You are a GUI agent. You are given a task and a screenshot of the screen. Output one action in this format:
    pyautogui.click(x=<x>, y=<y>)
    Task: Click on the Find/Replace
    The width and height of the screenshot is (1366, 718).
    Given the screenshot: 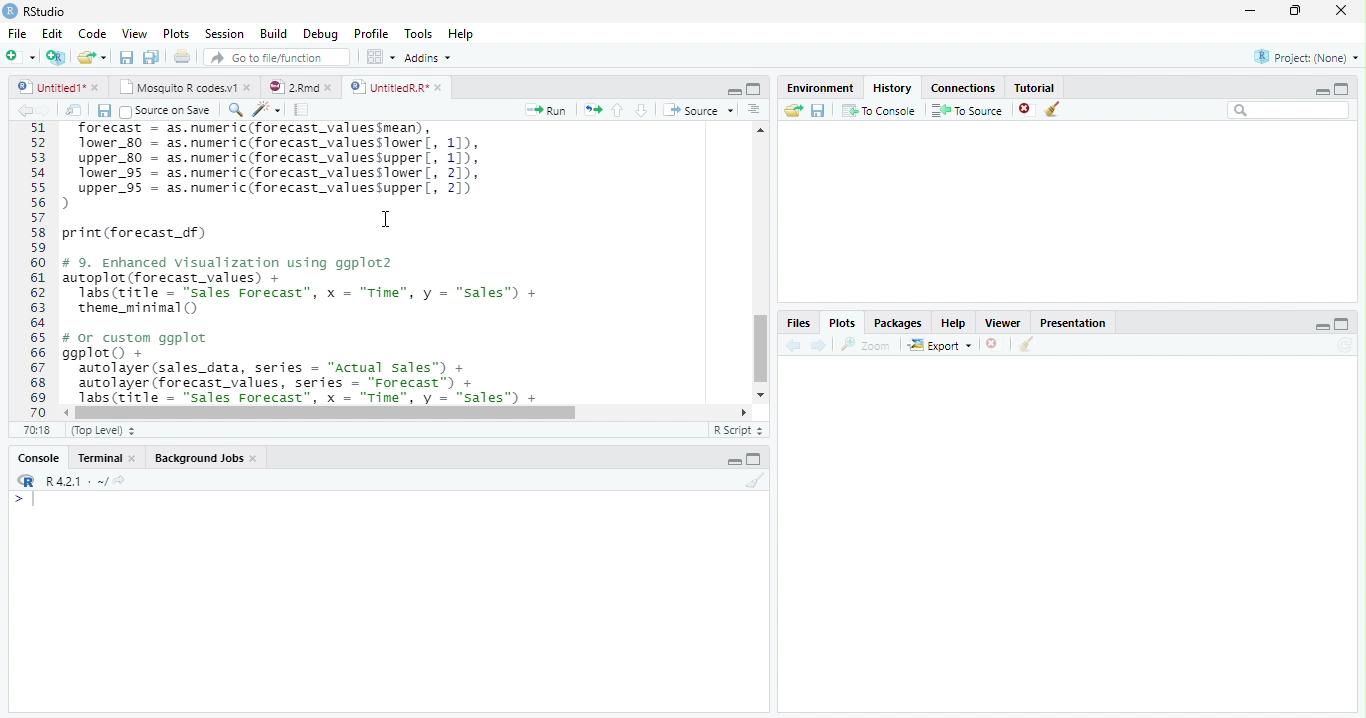 What is the action you would take?
    pyautogui.click(x=233, y=110)
    